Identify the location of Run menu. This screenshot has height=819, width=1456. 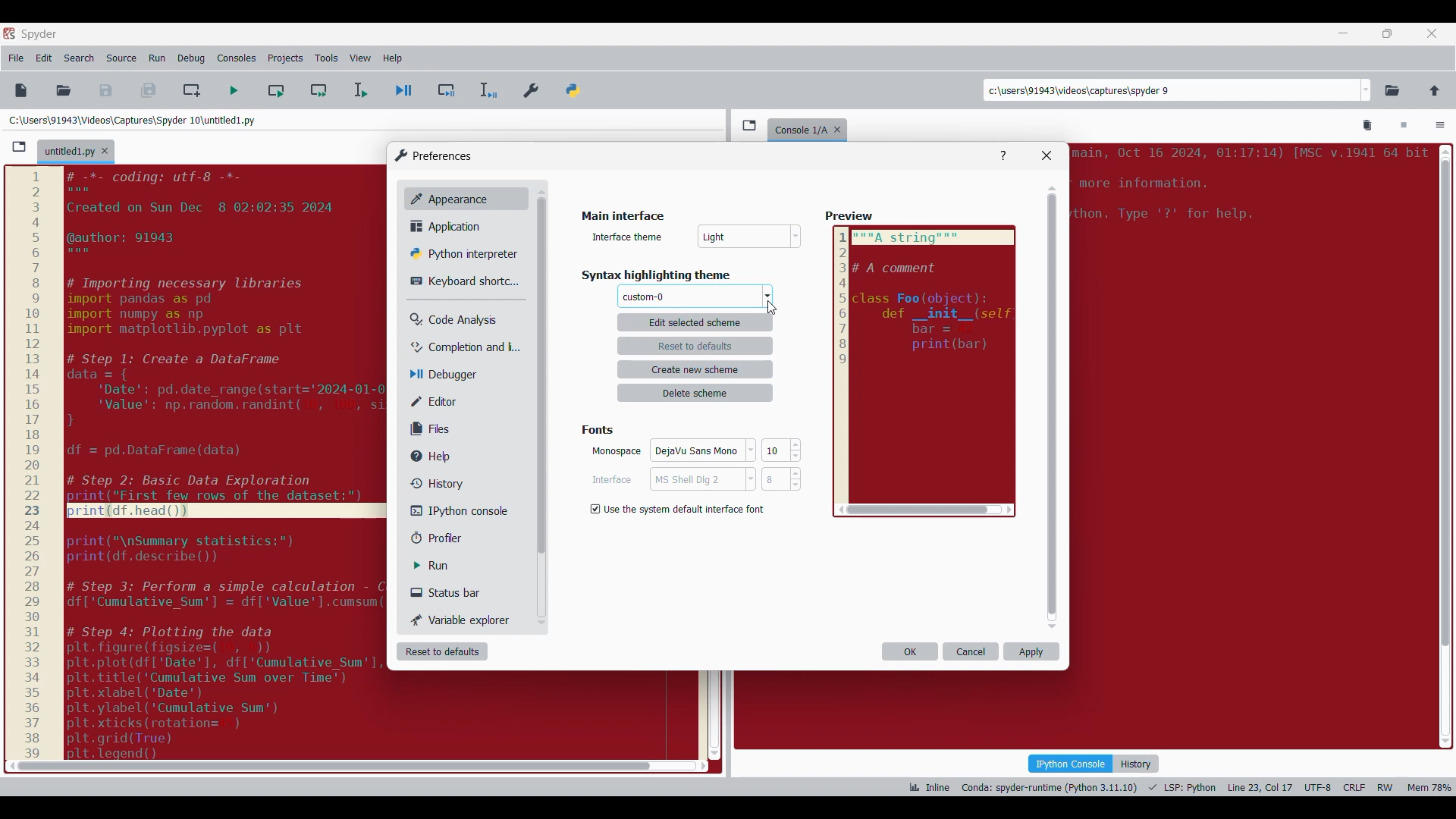
(157, 58).